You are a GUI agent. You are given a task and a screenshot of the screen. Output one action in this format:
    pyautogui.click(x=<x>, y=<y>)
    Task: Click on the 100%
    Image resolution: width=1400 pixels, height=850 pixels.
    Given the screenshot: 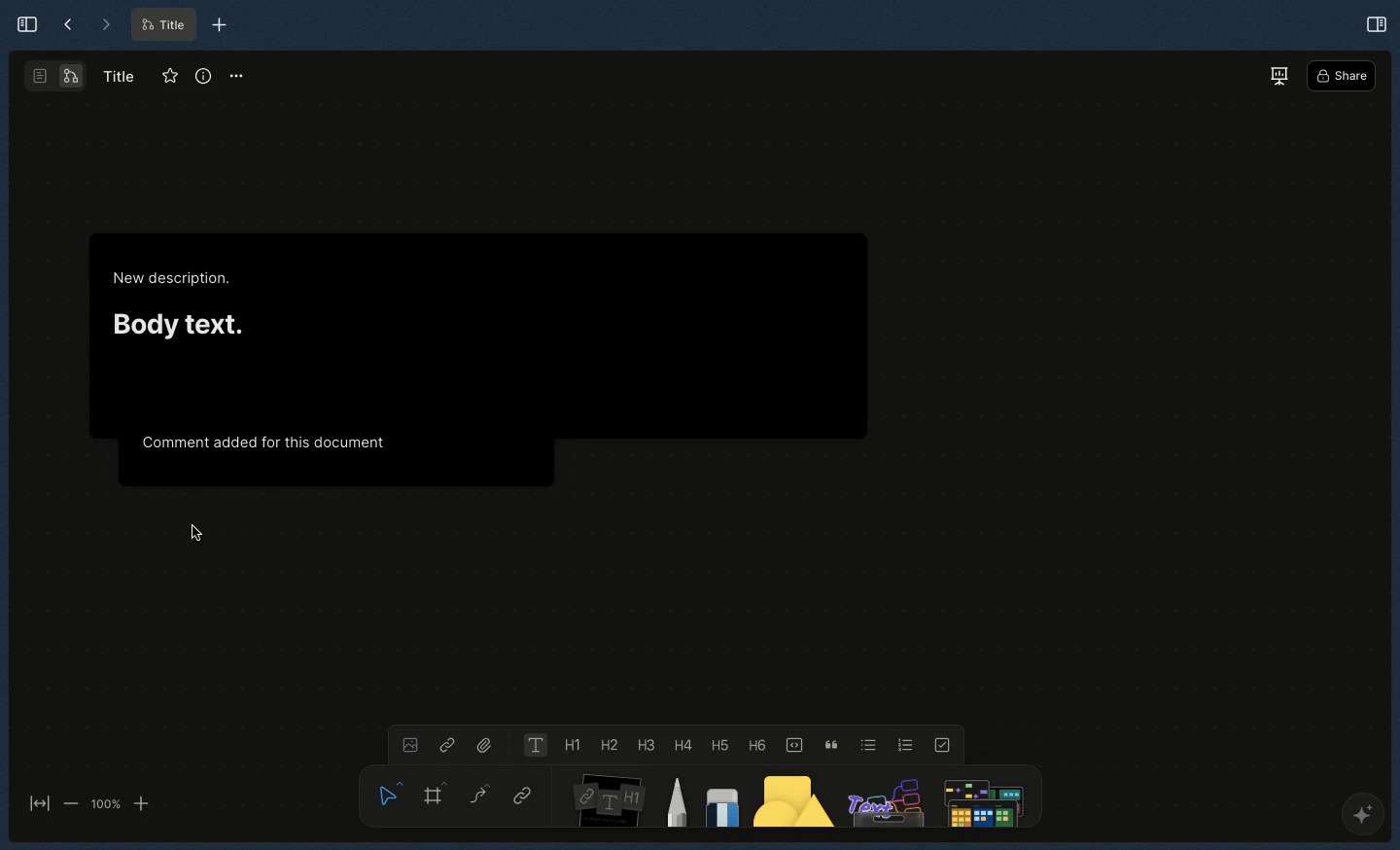 What is the action you would take?
    pyautogui.click(x=105, y=804)
    